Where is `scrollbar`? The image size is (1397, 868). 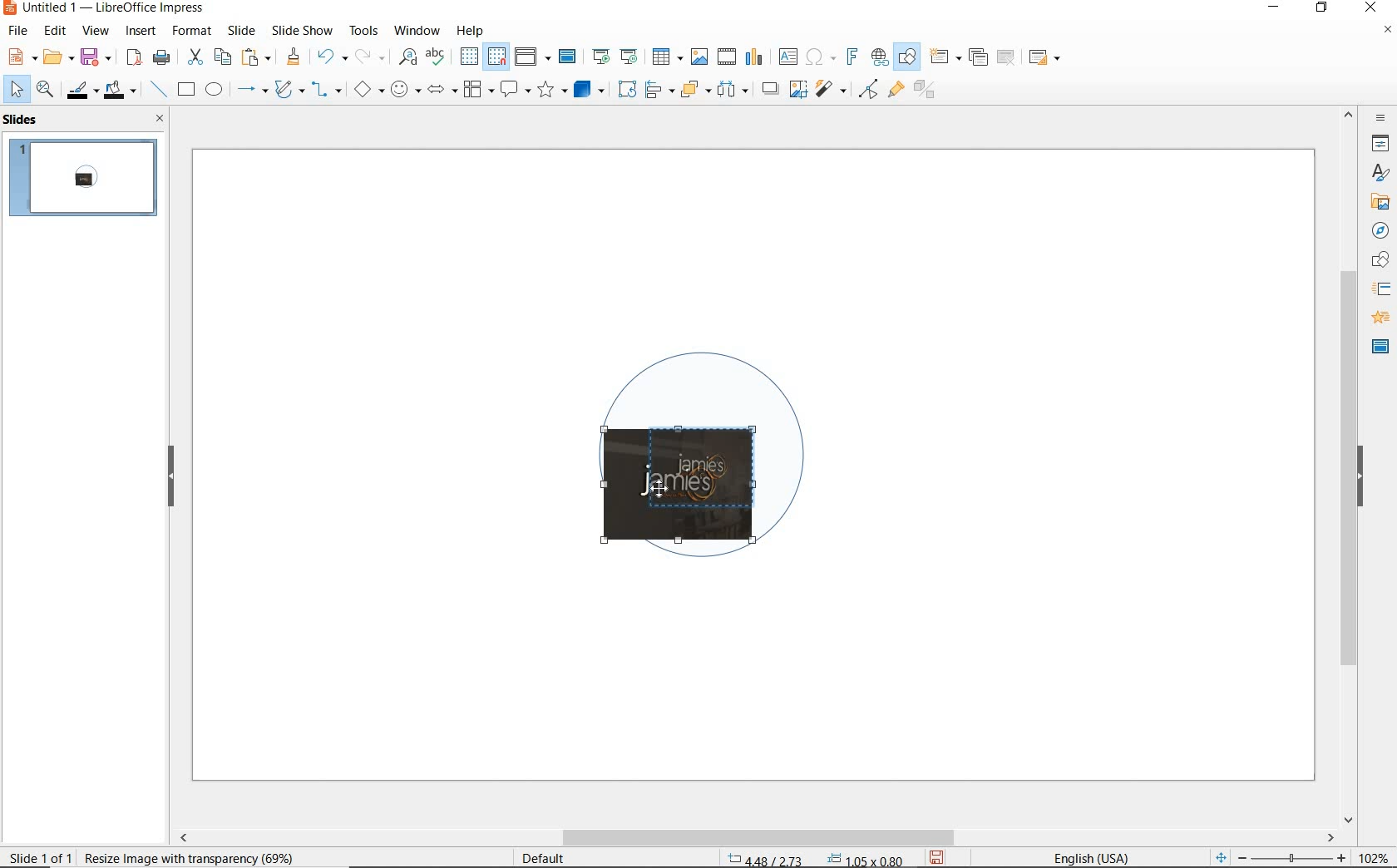
scrollbar is located at coordinates (755, 837).